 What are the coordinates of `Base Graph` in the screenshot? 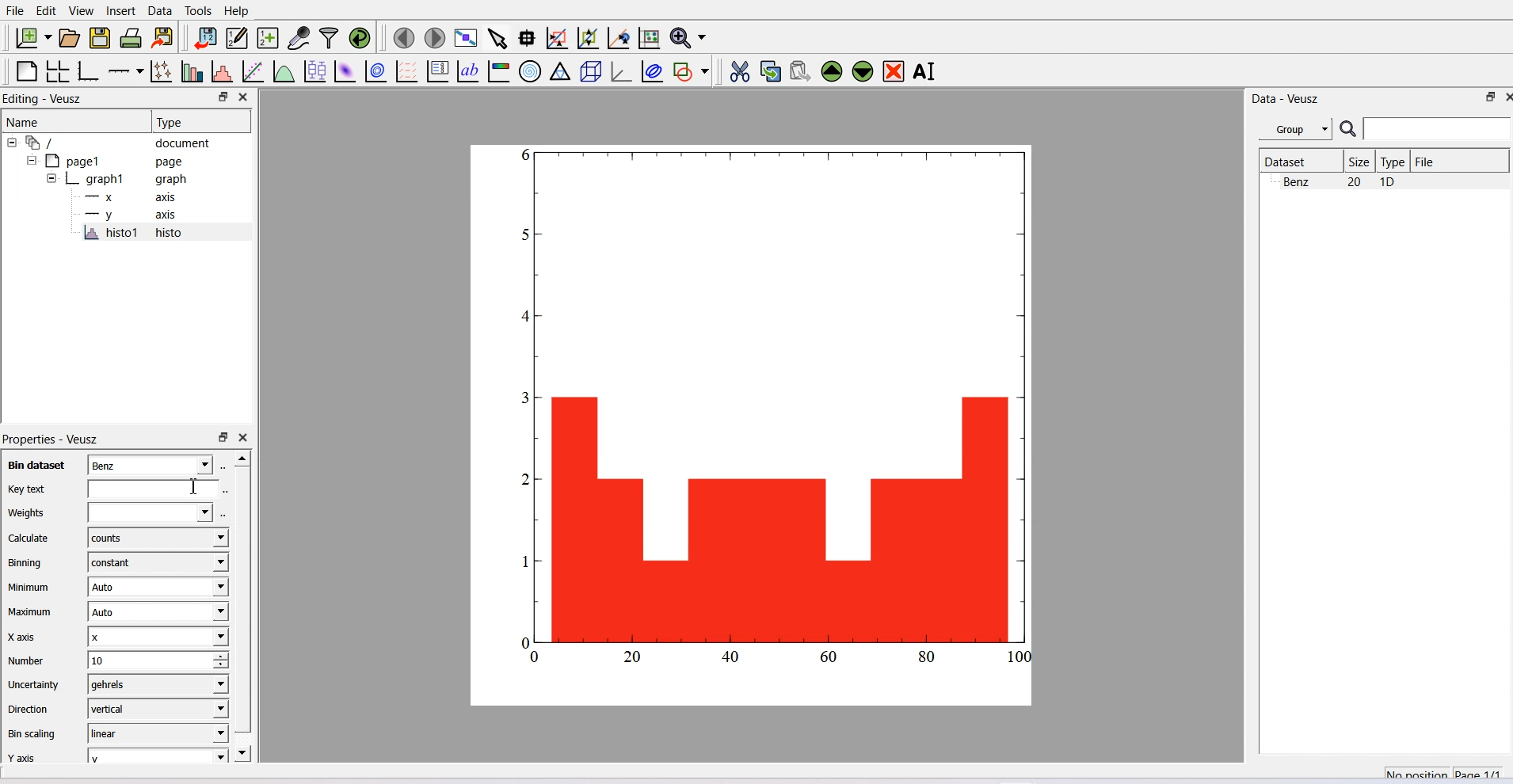 It's located at (89, 71).